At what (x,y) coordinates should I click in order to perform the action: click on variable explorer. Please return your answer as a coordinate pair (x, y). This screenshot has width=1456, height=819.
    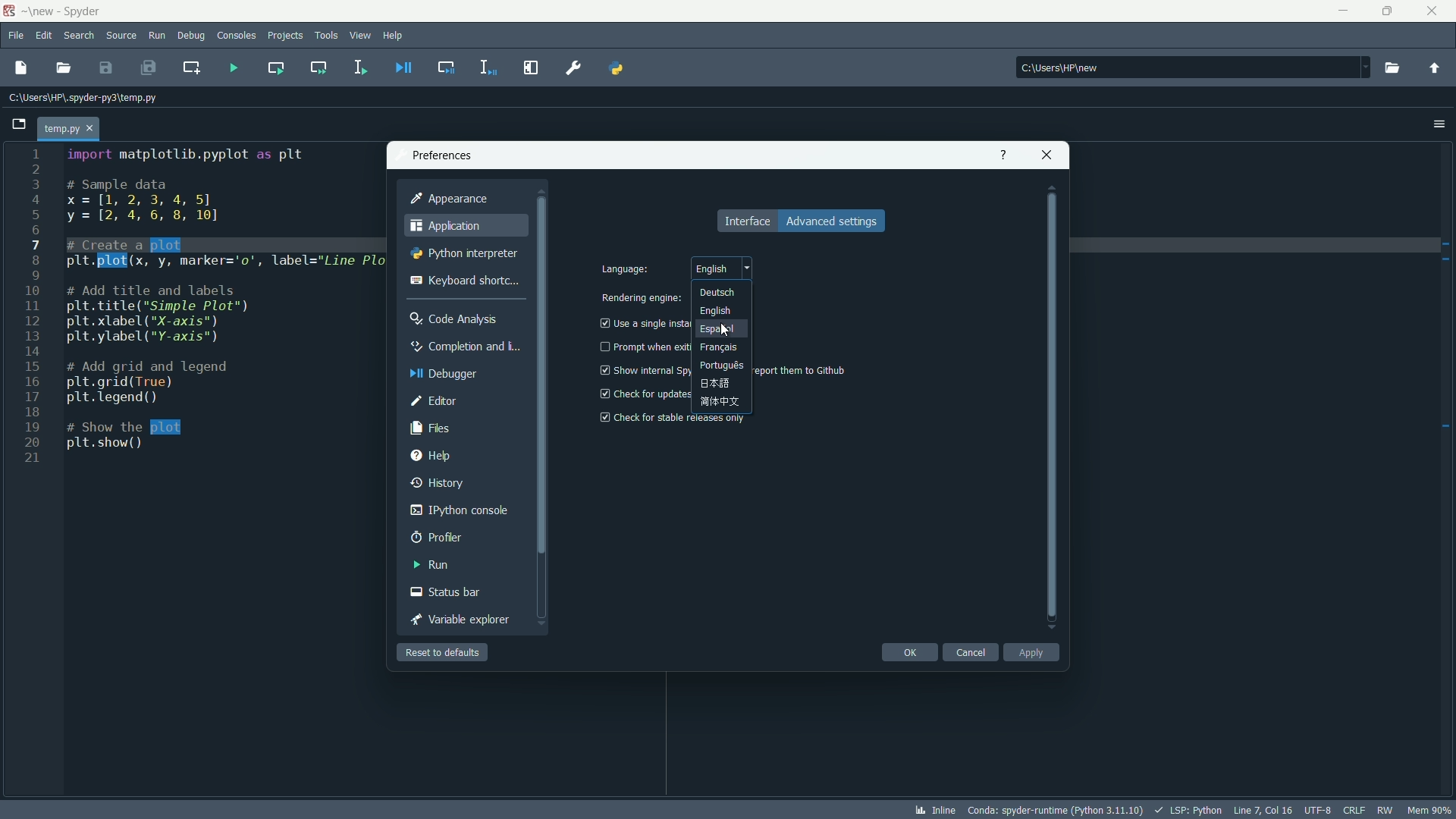
    Looking at the image, I should click on (460, 619).